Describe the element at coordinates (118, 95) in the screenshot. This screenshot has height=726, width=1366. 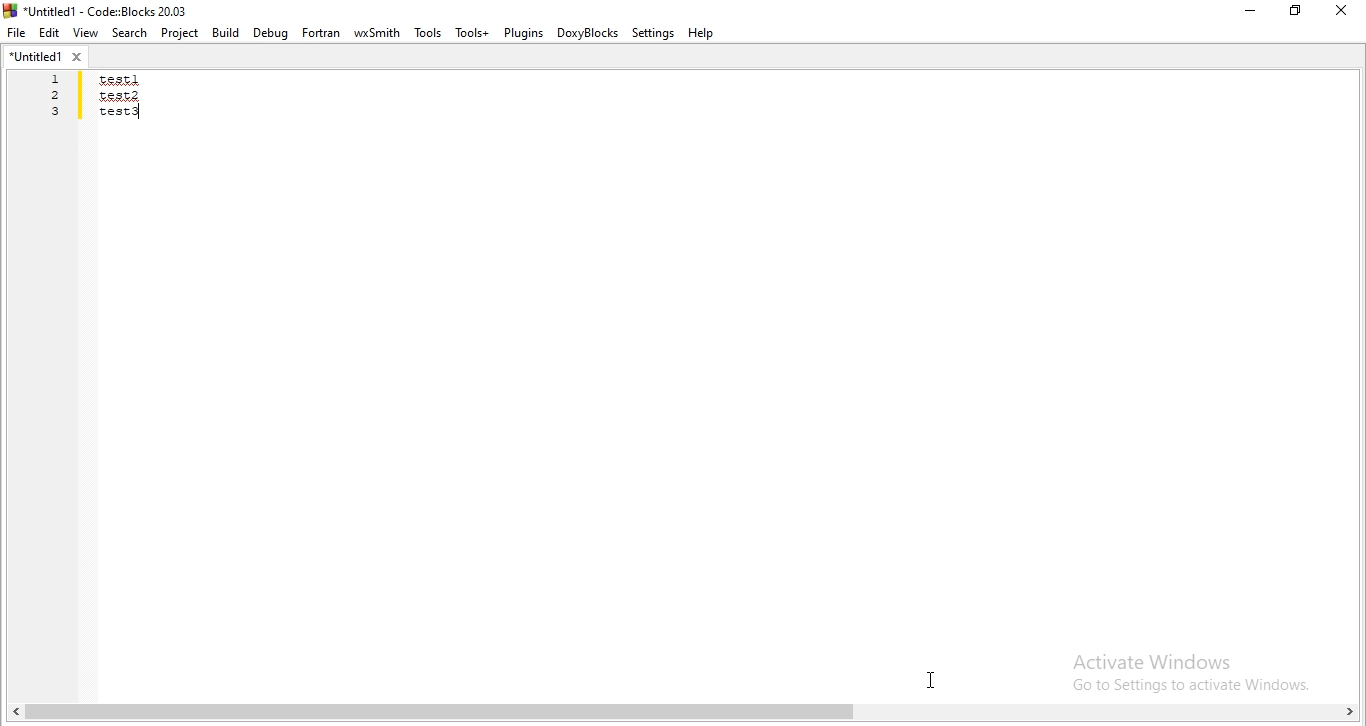
I see `test2` at that location.